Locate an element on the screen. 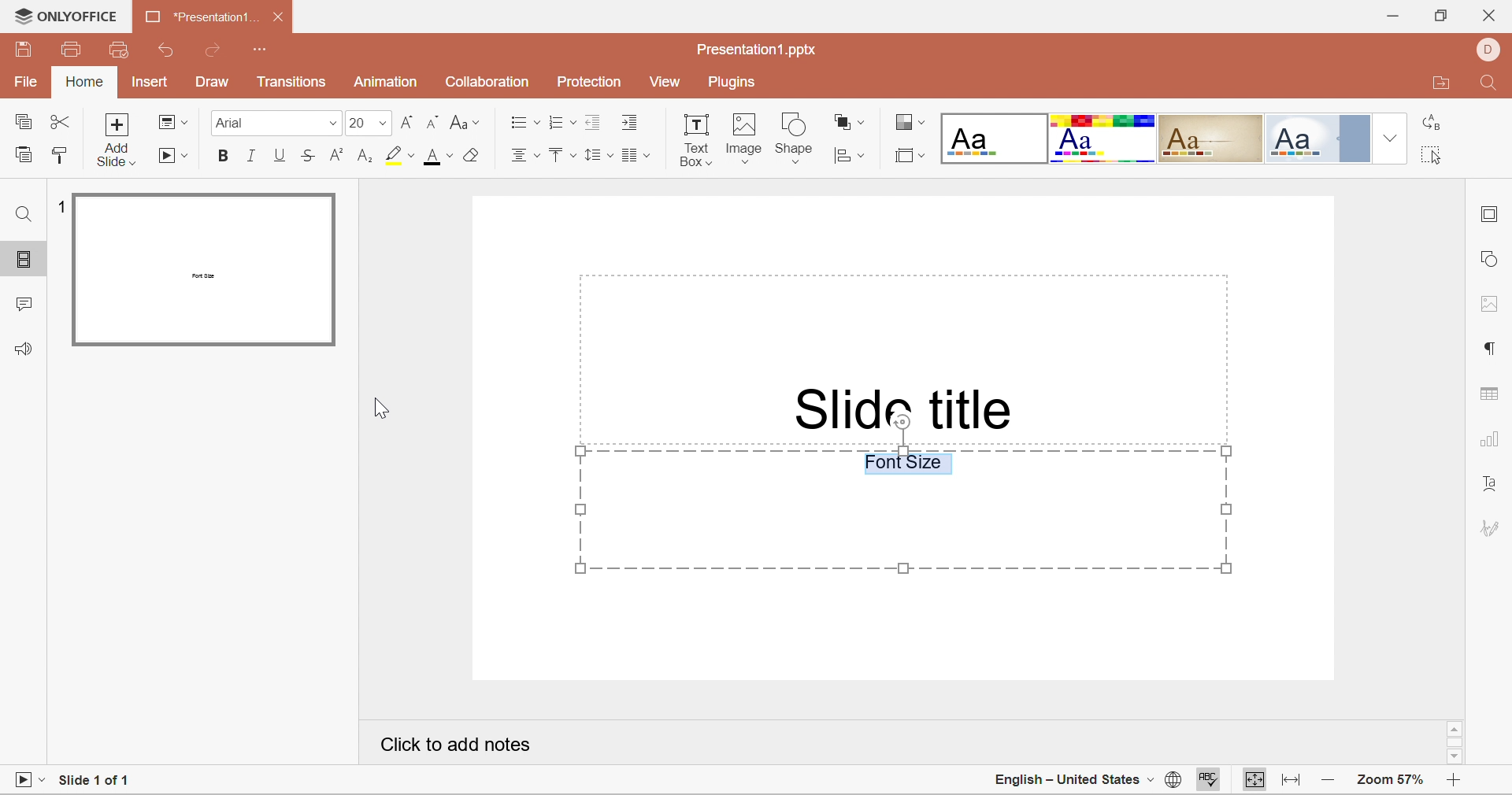  Animation is located at coordinates (385, 82).